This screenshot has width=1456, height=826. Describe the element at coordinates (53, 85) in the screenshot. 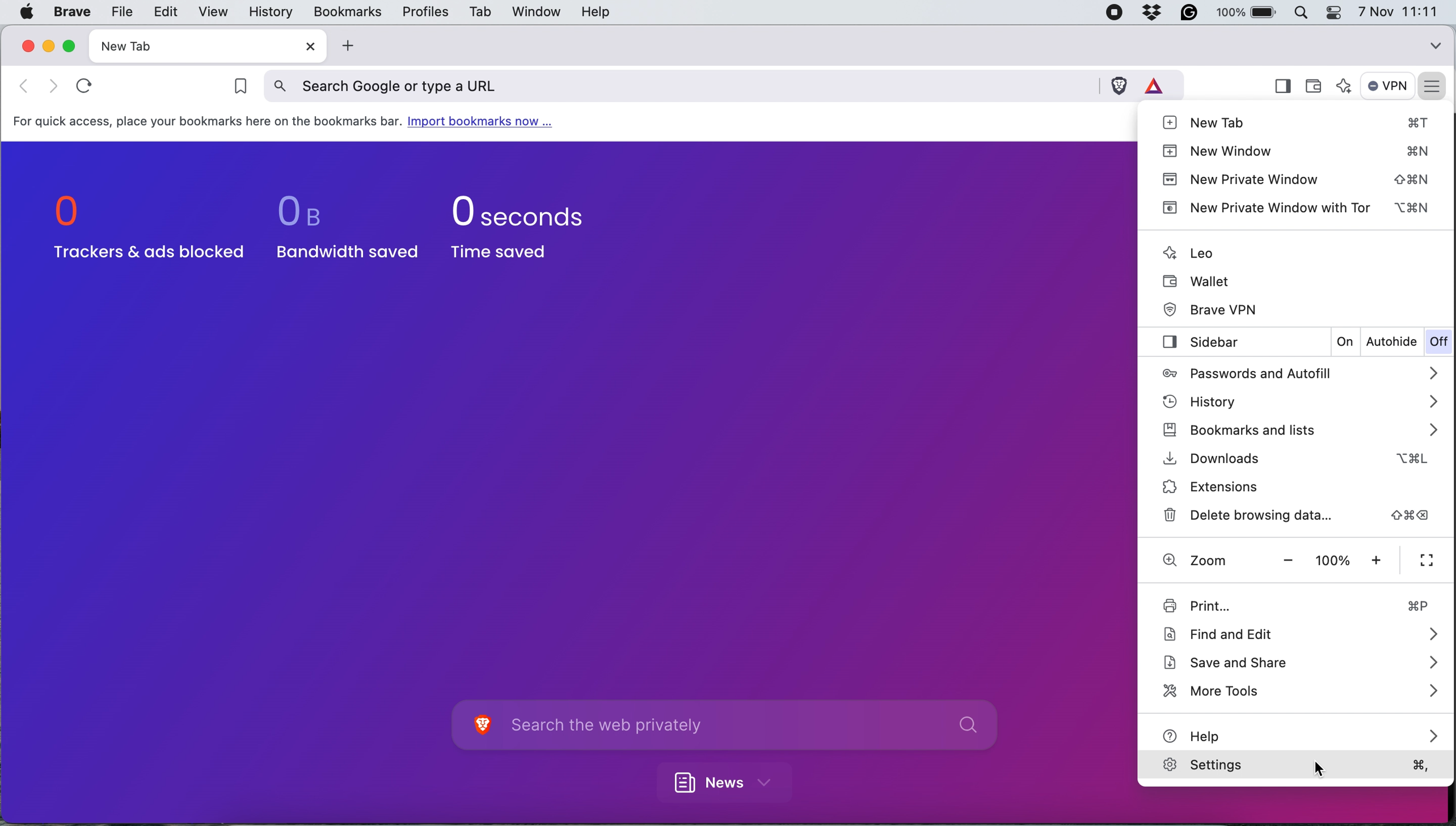

I see `click to go back, hold to see histoty` at that location.